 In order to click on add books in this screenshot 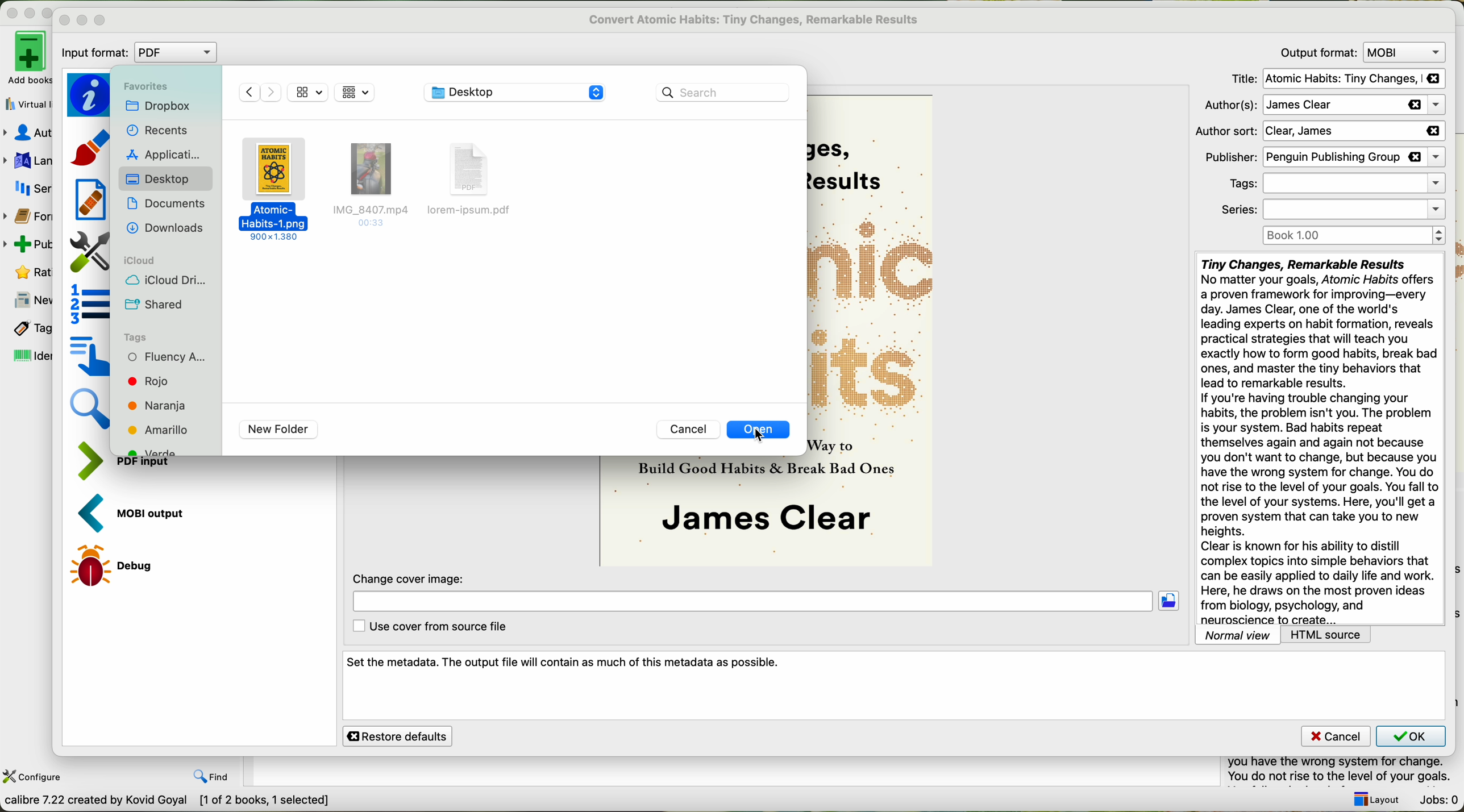, I will do `click(26, 57)`.